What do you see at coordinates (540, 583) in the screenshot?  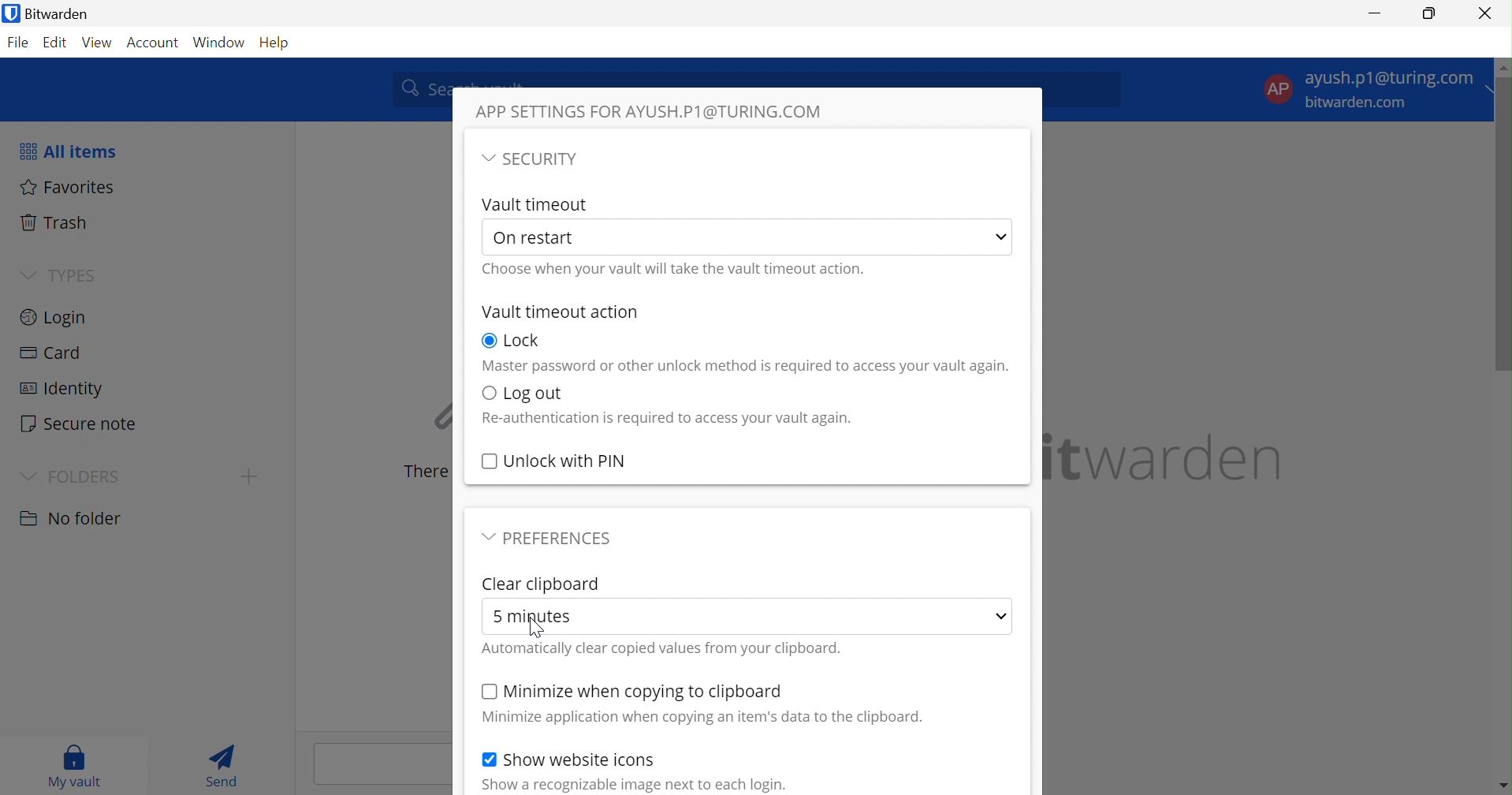 I see `Clear clipboard` at bounding box center [540, 583].